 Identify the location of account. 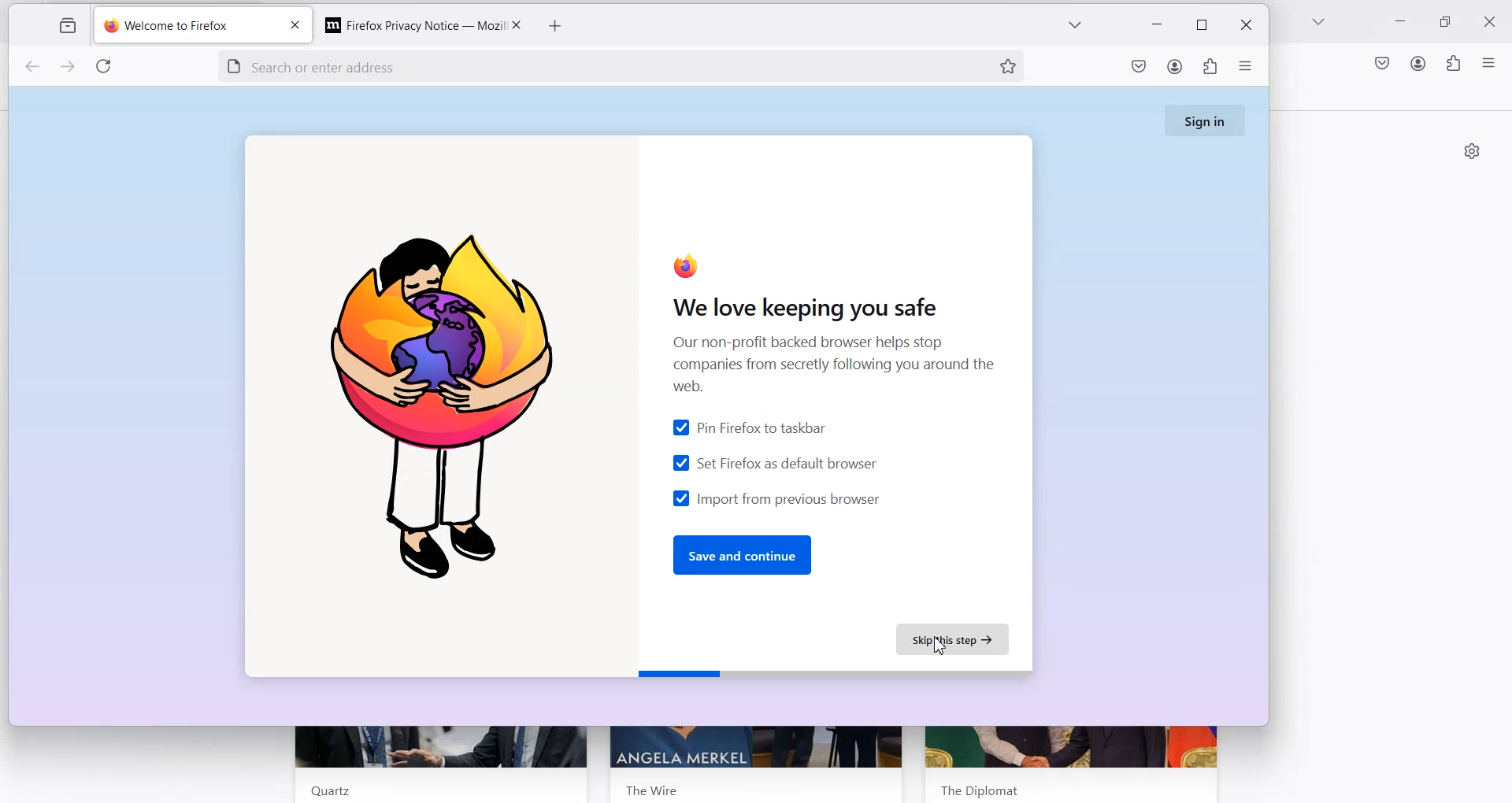
(1175, 68).